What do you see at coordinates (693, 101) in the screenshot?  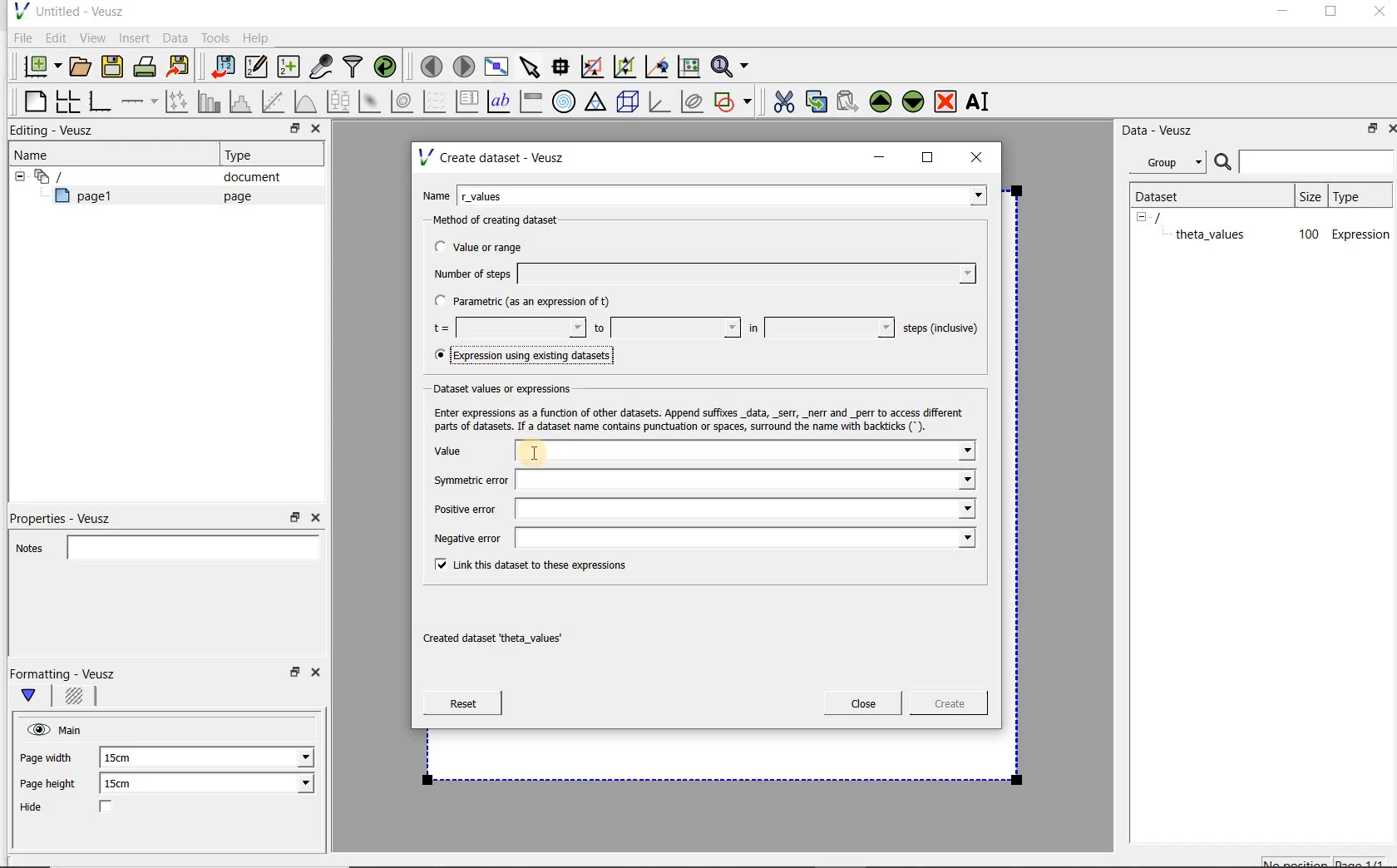 I see `plot covariance ellipses` at bounding box center [693, 101].